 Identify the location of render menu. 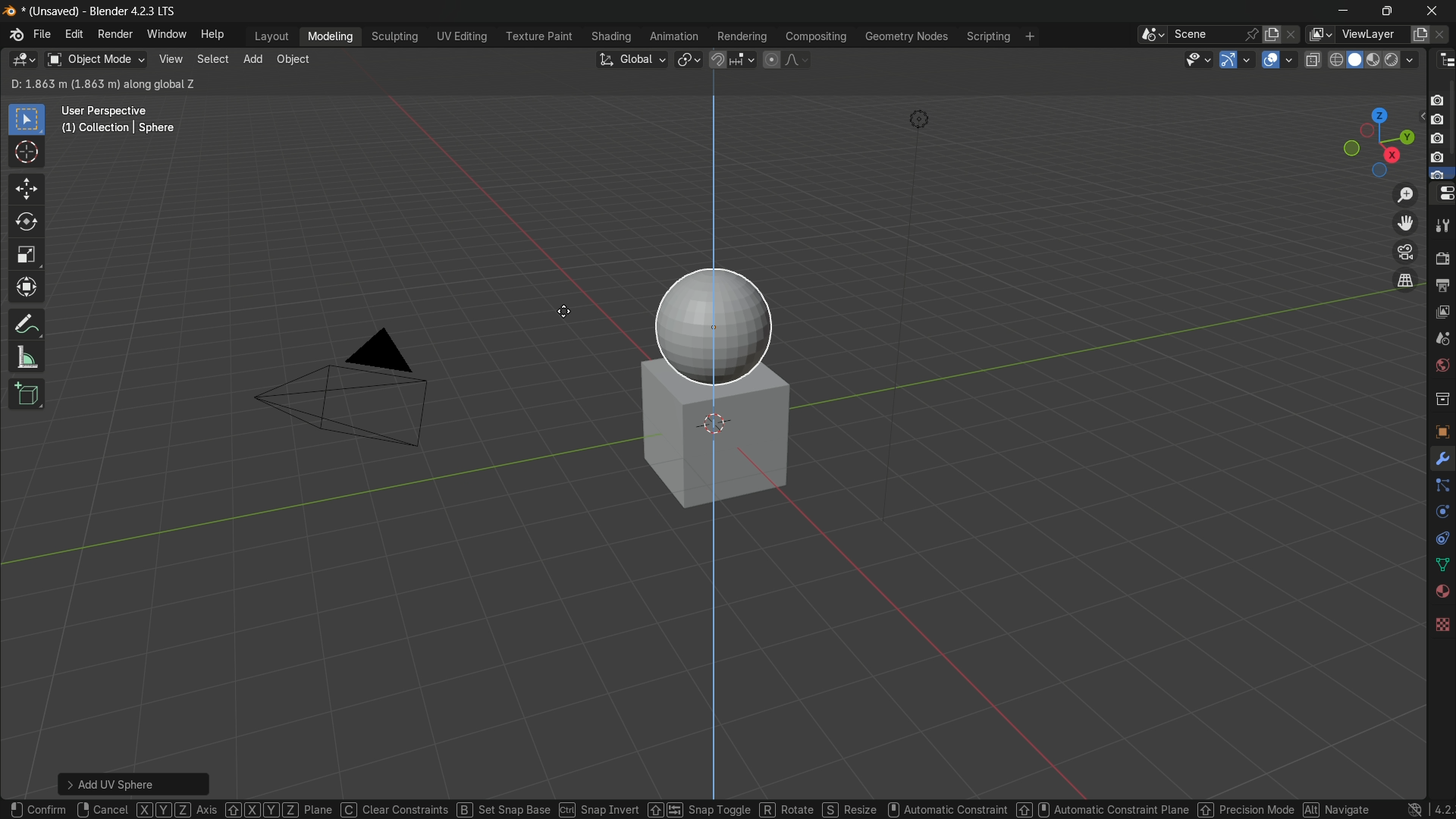
(115, 35).